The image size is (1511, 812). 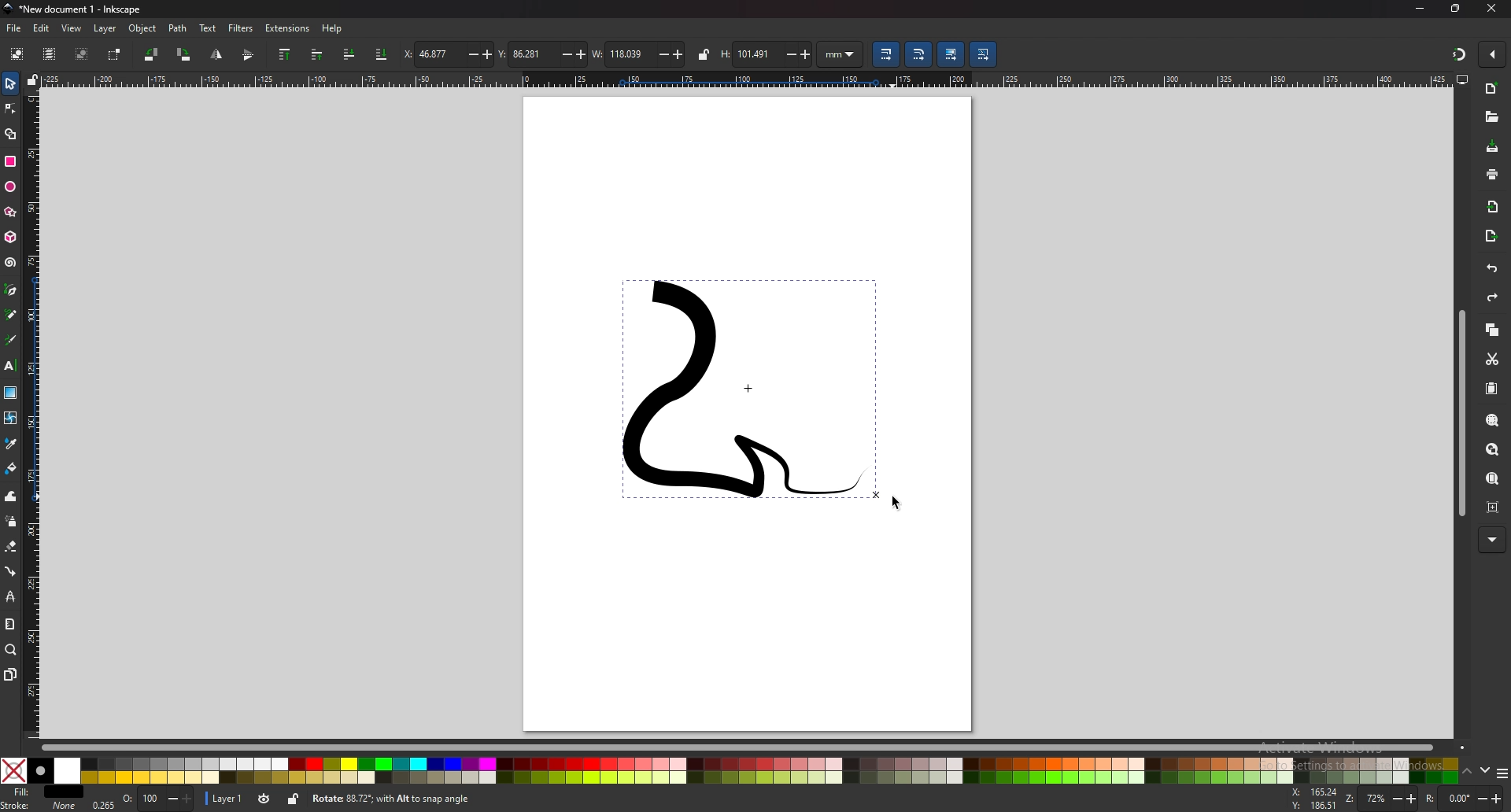 I want to click on toggle visibility, so click(x=265, y=799).